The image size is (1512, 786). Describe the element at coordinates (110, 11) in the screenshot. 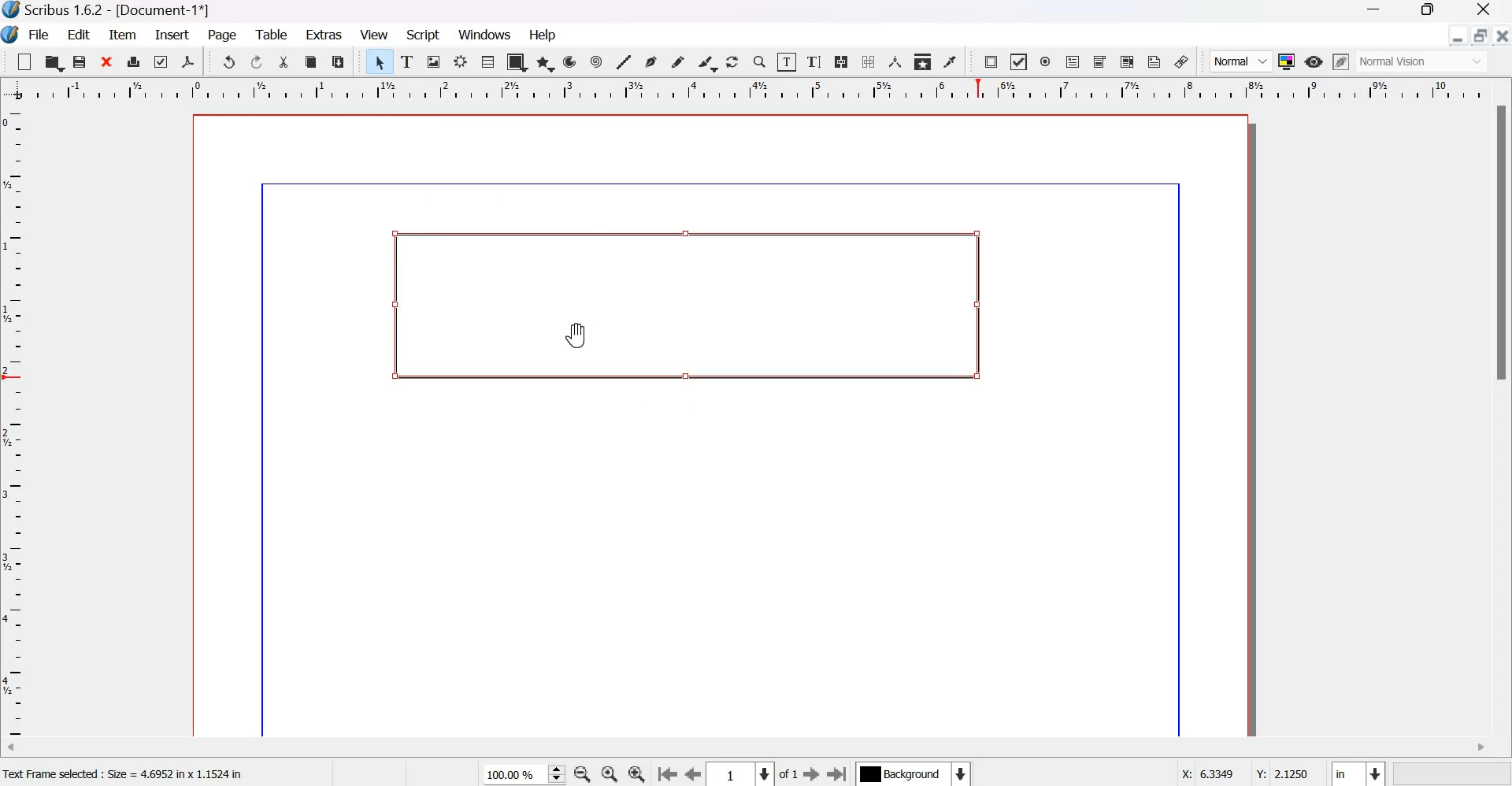

I see `Scribus 1.6.2 - [Document-1]` at that location.